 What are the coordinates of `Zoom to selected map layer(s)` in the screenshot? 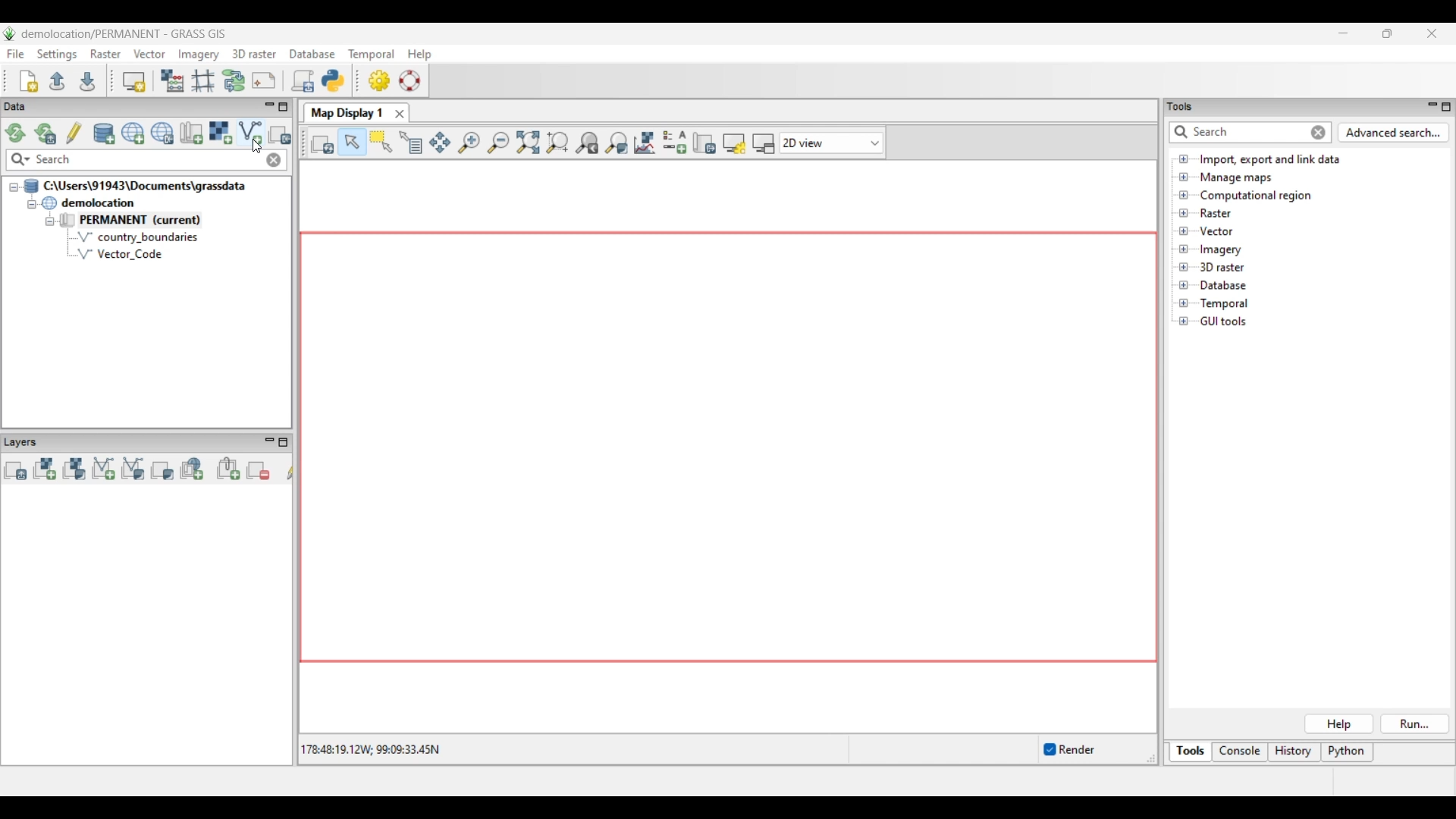 It's located at (528, 143).